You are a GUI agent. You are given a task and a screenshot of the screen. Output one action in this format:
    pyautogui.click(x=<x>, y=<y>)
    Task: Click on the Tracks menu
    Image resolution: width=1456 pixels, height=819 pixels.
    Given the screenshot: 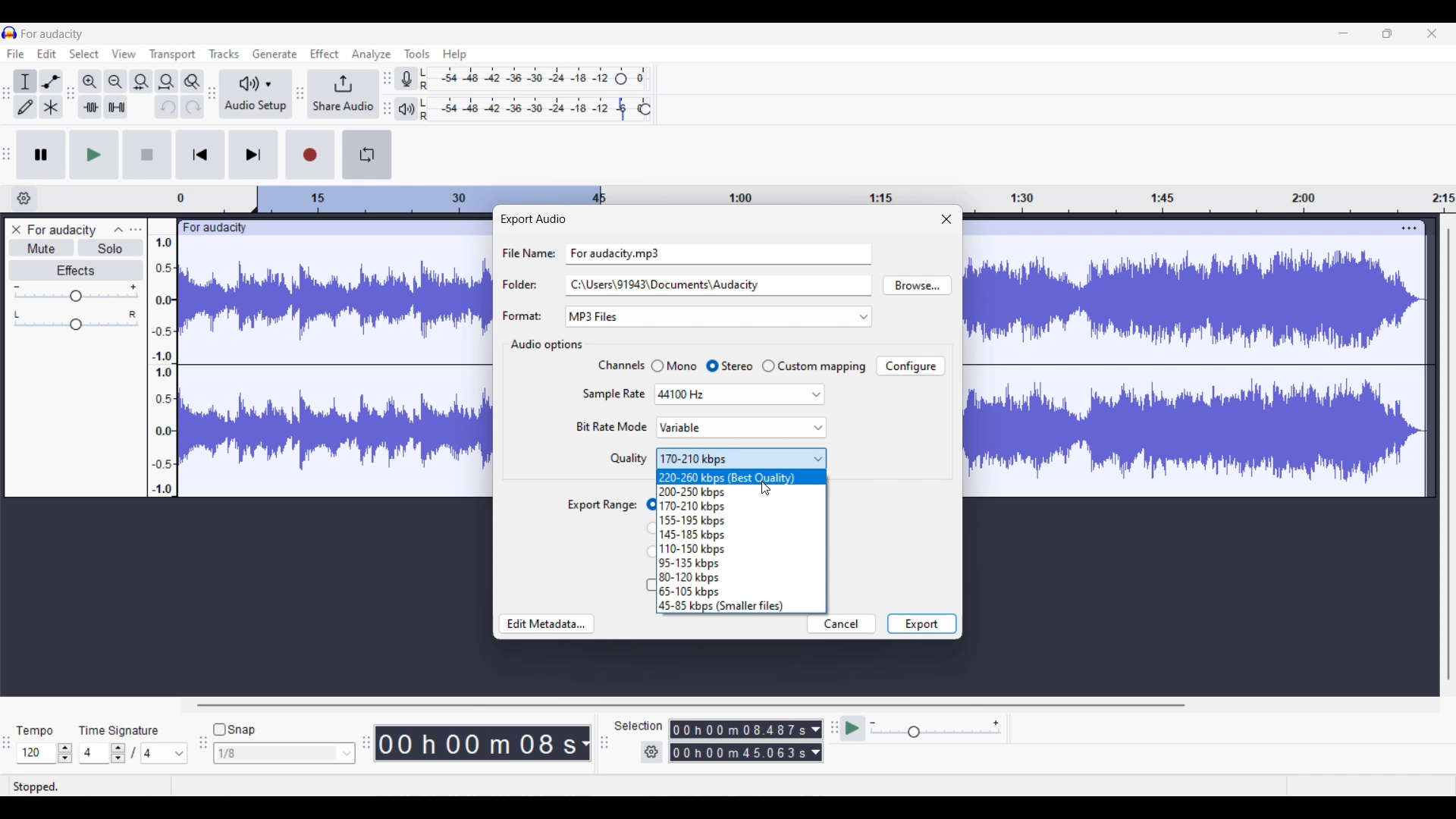 What is the action you would take?
    pyautogui.click(x=224, y=54)
    